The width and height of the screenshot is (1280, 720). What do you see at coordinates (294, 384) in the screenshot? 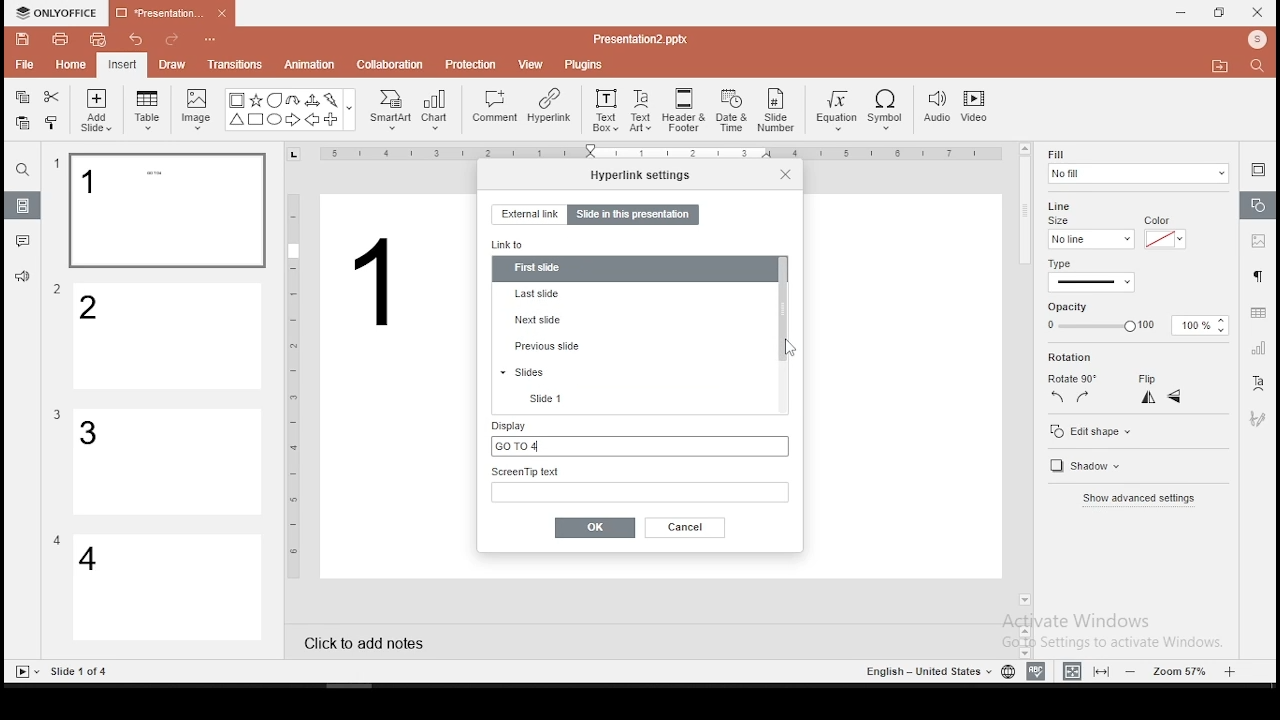
I see `` at bounding box center [294, 384].